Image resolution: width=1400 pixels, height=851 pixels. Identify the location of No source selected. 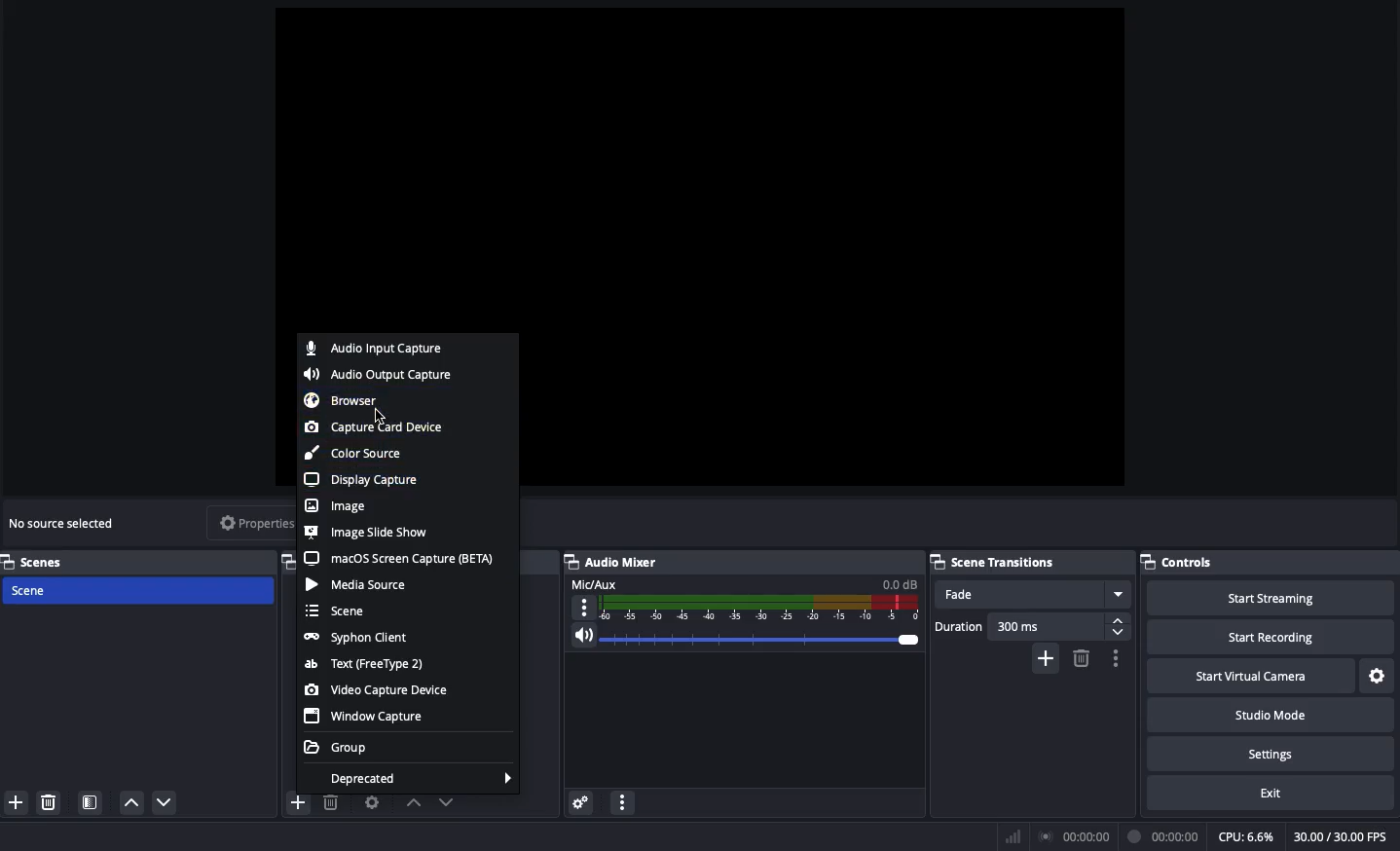
(62, 524).